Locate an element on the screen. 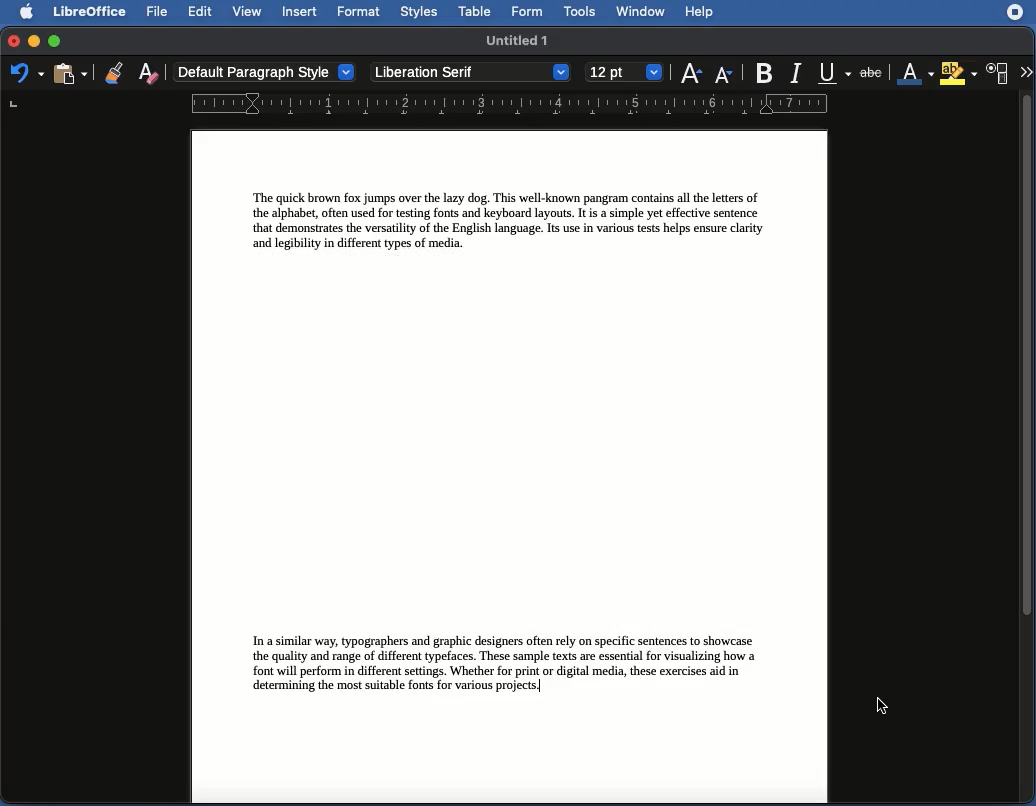 This screenshot has height=806, width=1036. Highlighting is located at coordinates (960, 73).